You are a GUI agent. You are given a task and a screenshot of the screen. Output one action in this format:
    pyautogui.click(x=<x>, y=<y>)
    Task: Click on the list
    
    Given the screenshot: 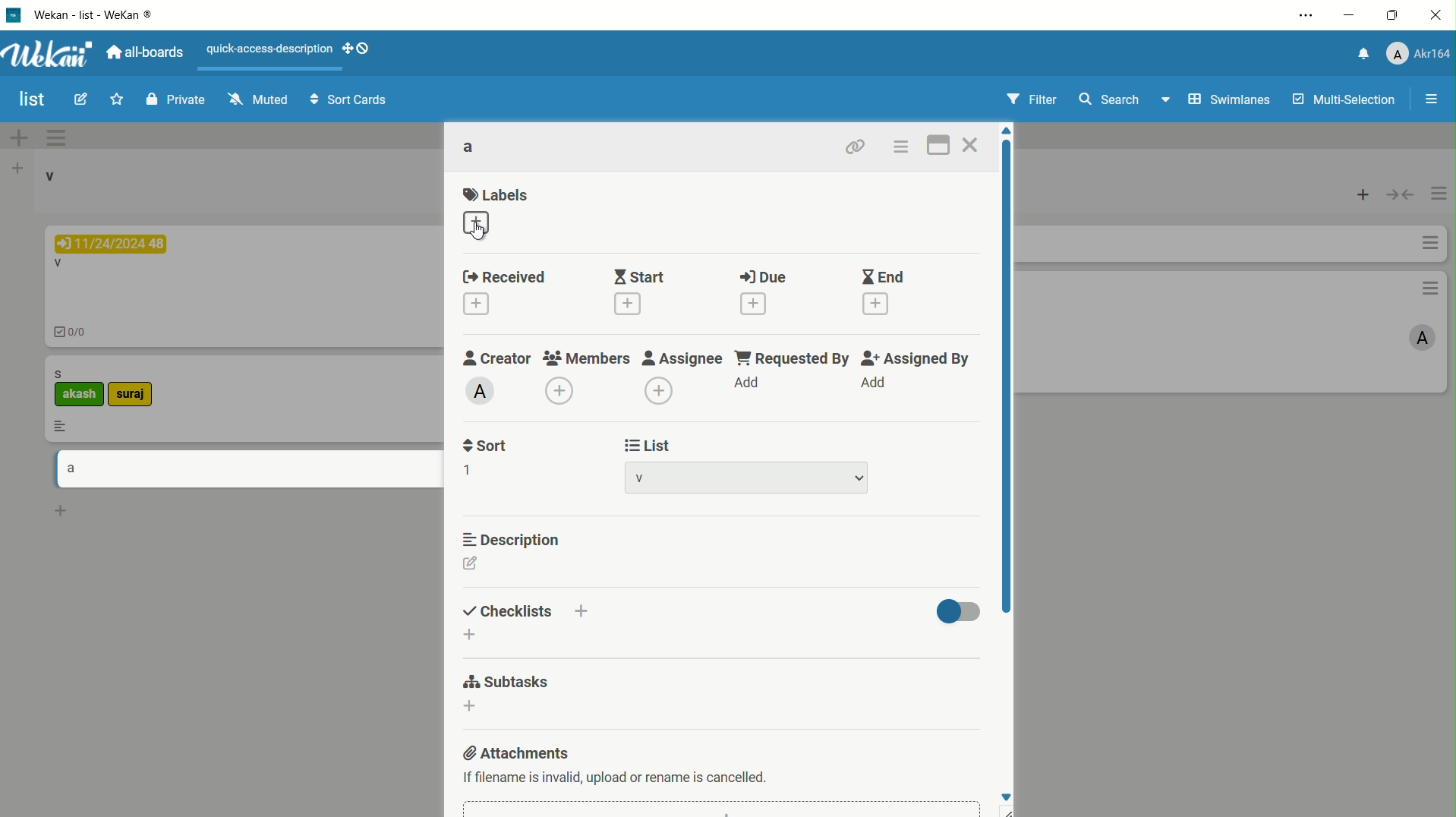 What is the action you would take?
    pyautogui.click(x=649, y=446)
    